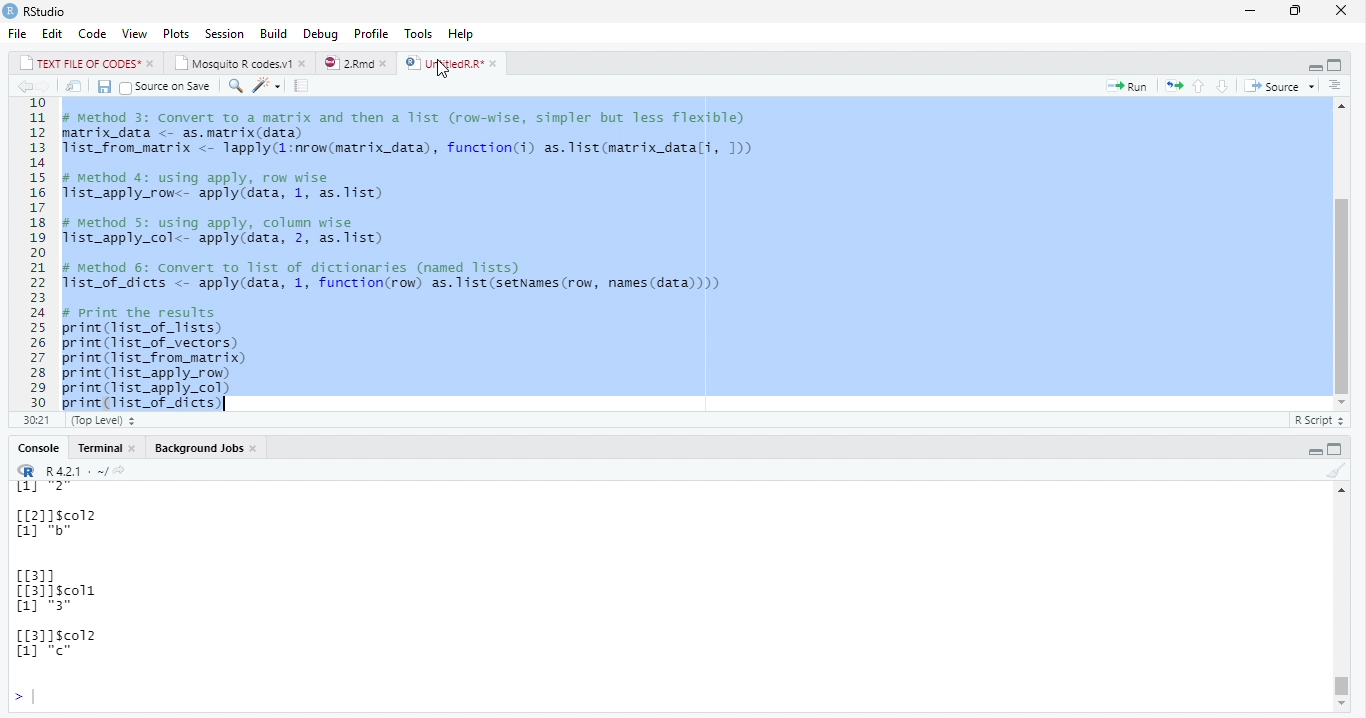  What do you see at coordinates (93, 33) in the screenshot?
I see `Code` at bounding box center [93, 33].